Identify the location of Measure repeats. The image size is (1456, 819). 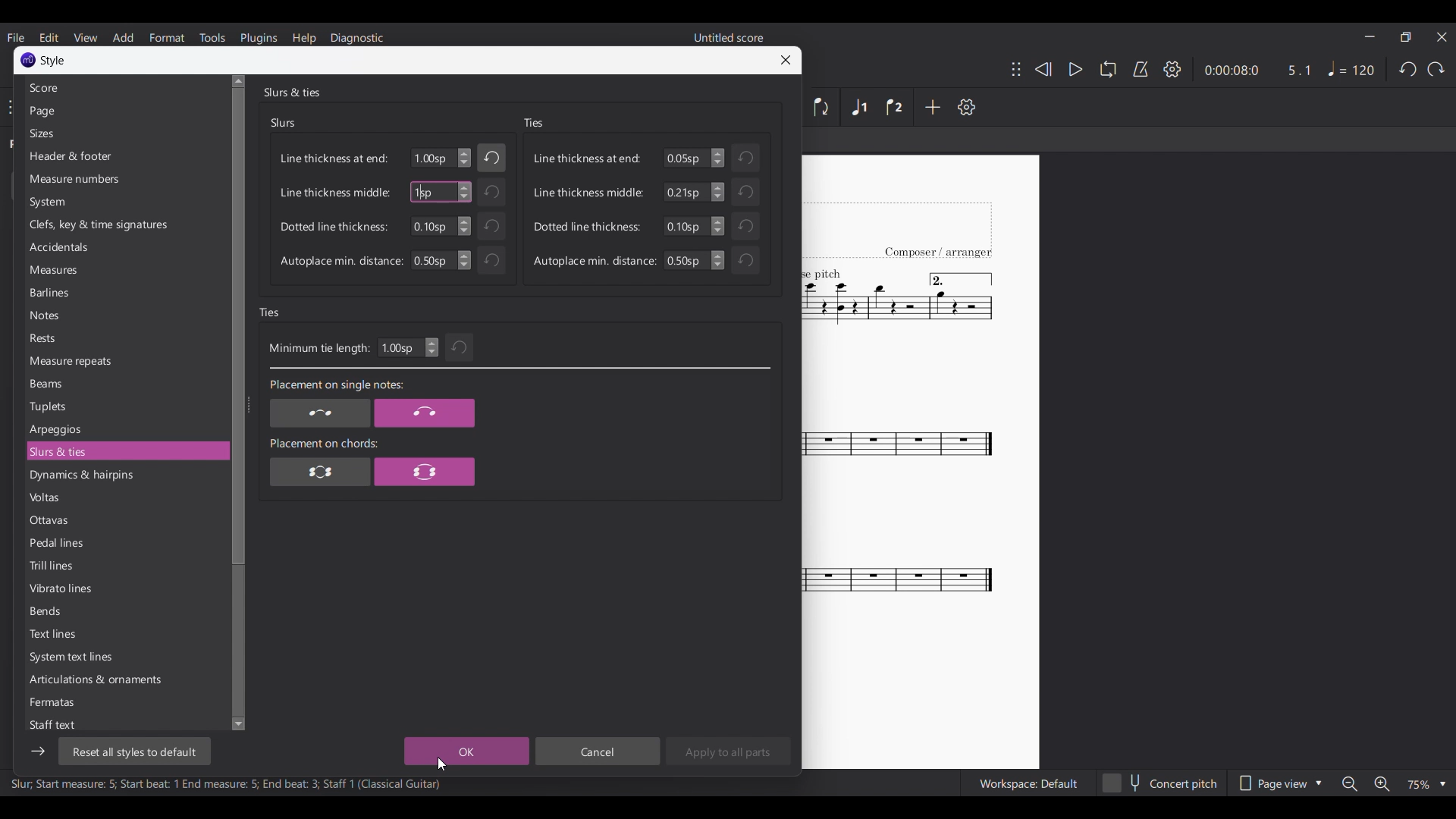
(125, 361).